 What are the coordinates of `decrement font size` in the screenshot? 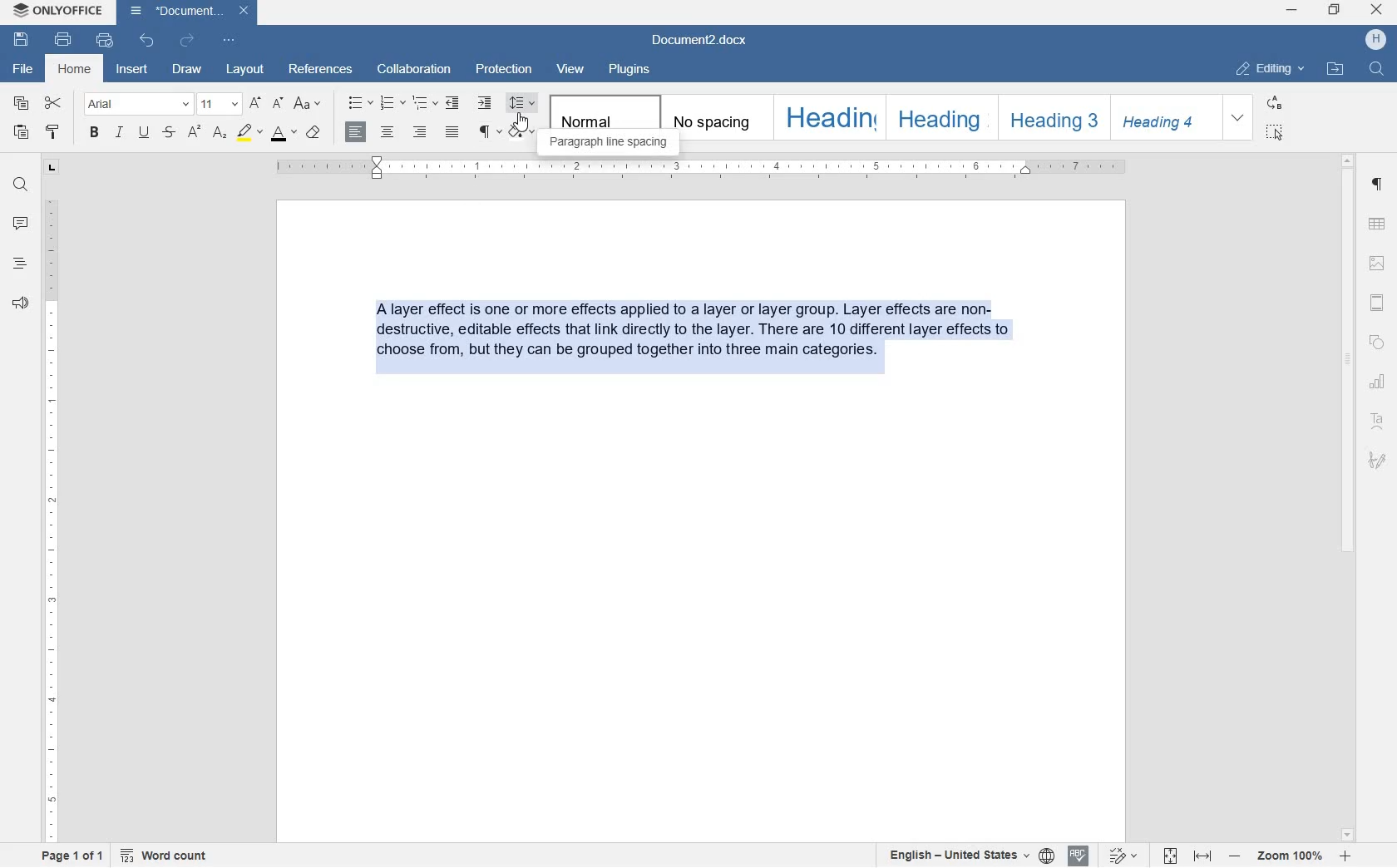 It's located at (277, 104).